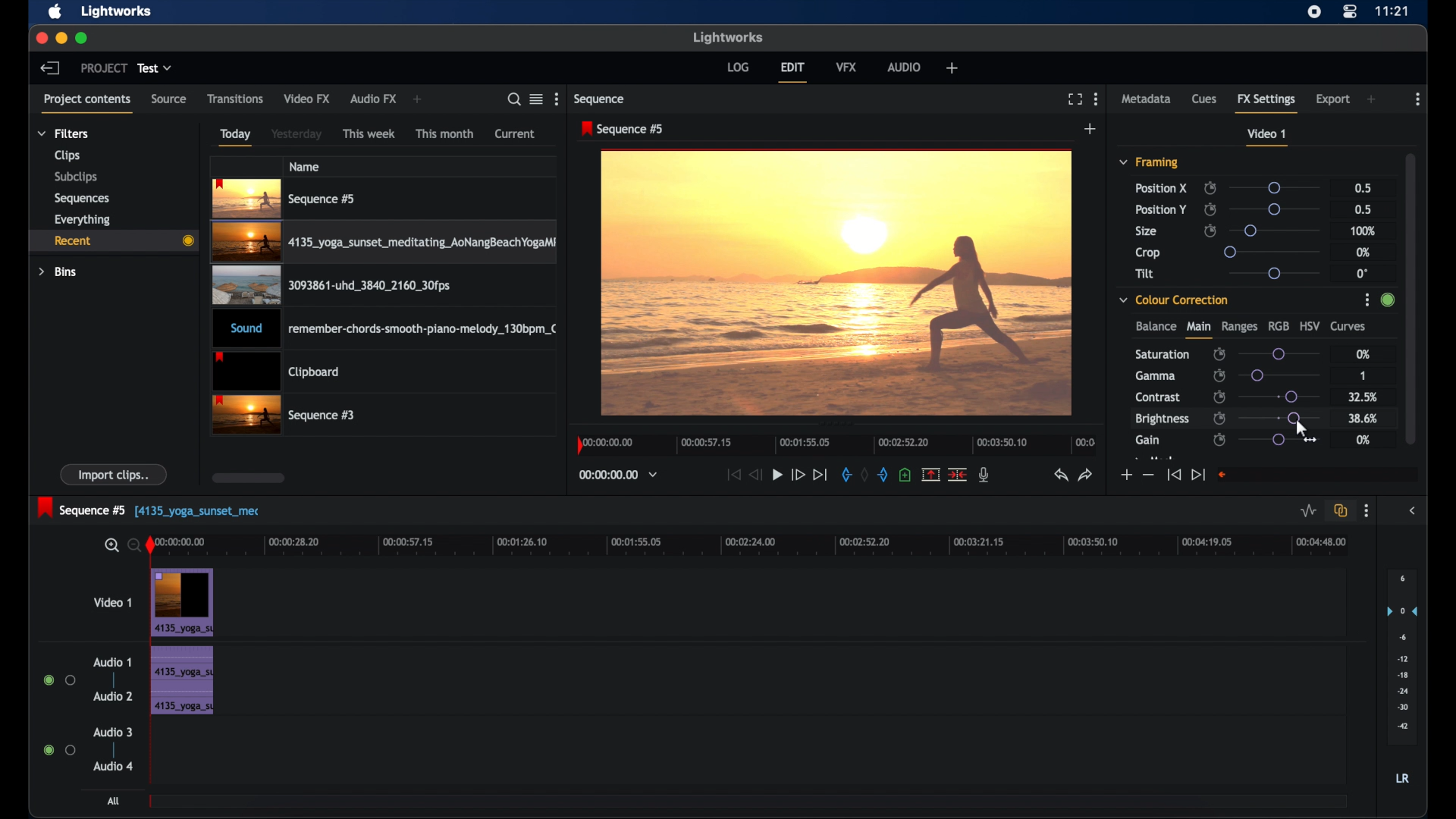 The height and width of the screenshot is (819, 1456). I want to click on audio 3, so click(114, 733).